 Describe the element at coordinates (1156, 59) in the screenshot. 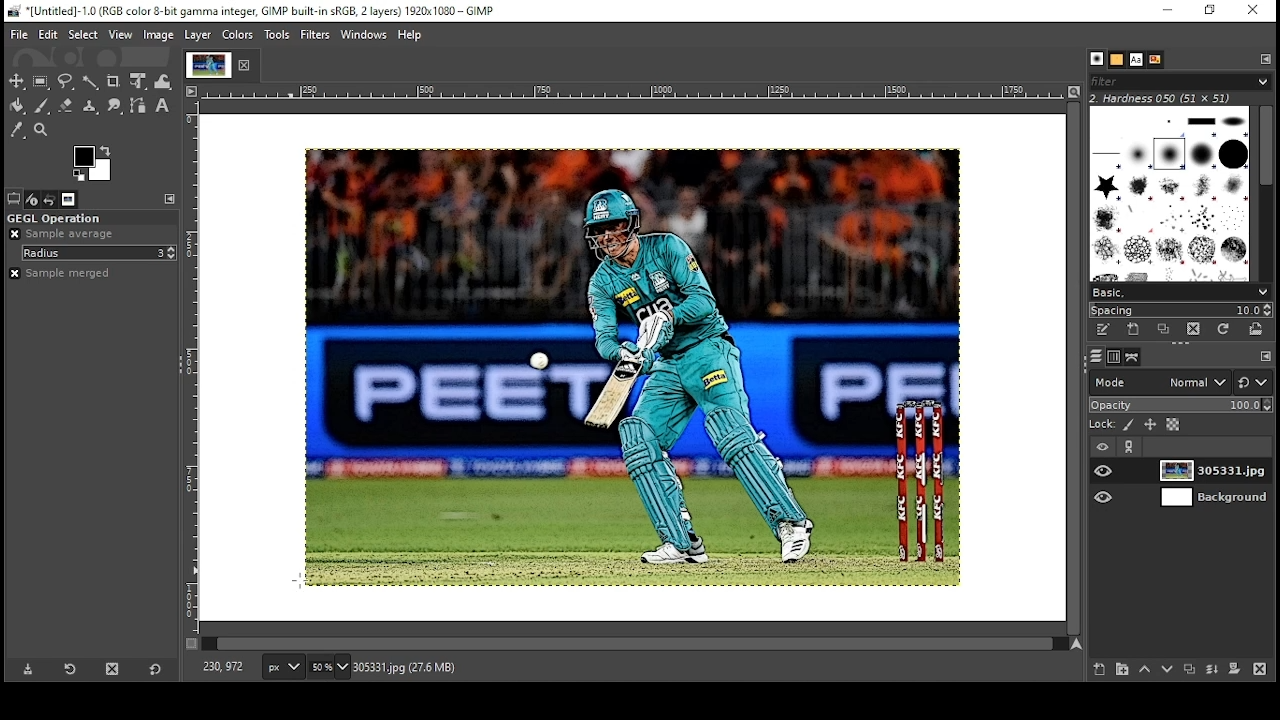

I see `document history` at that location.